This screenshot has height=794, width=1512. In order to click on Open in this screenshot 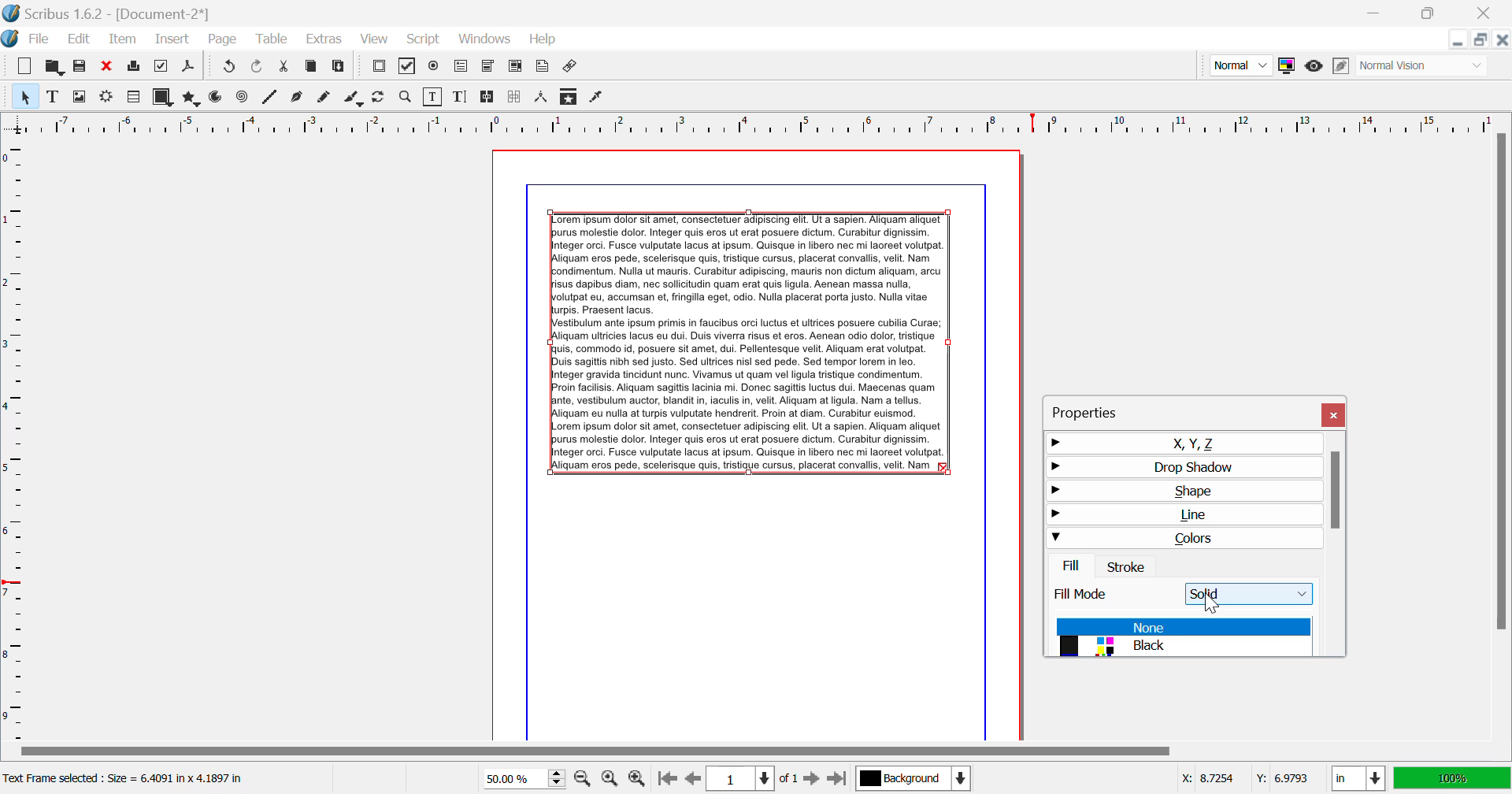, I will do `click(54, 65)`.